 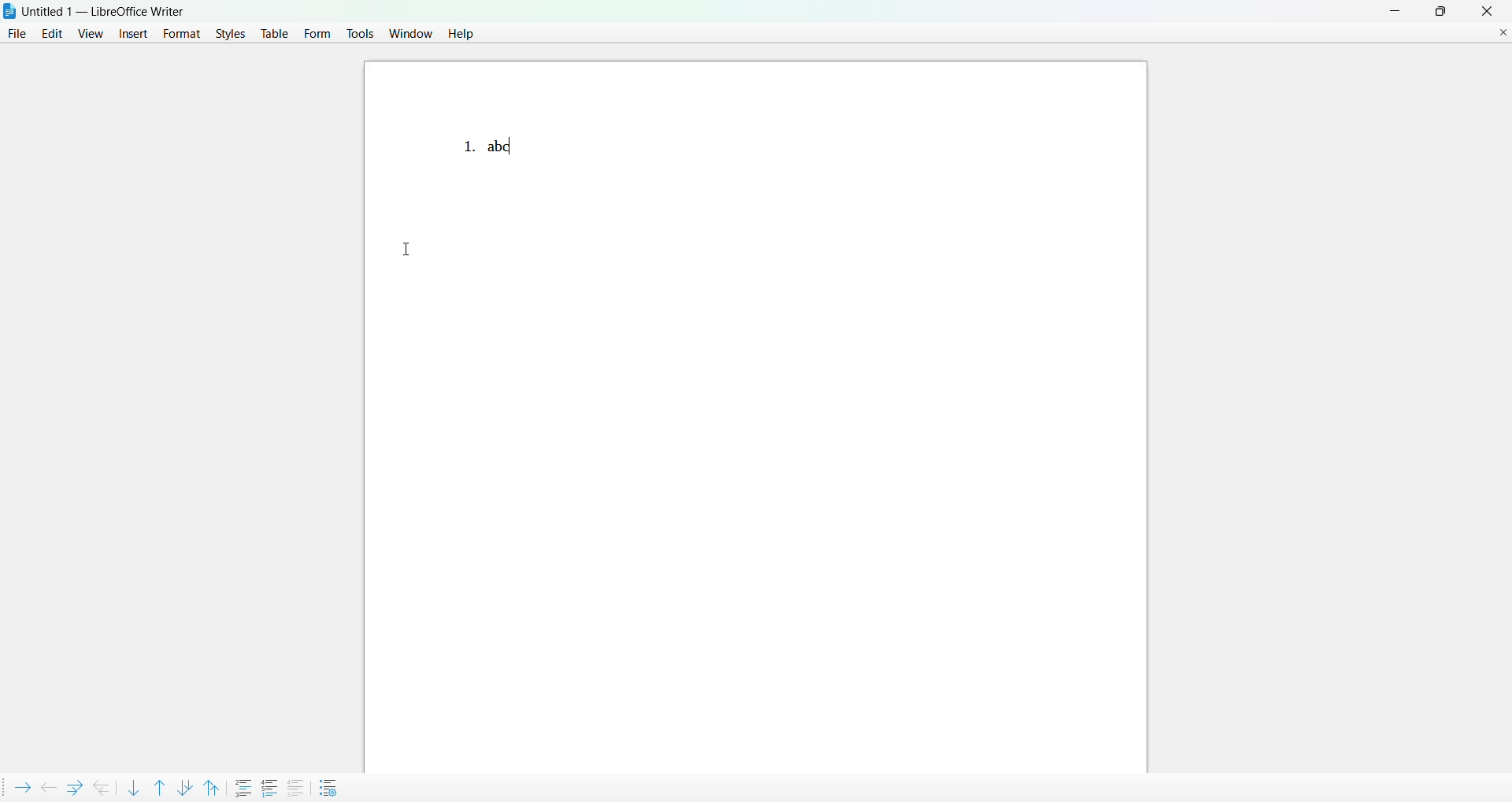 What do you see at coordinates (185, 785) in the screenshot?
I see `move item down with subpoints` at bounding box center [185, 785].